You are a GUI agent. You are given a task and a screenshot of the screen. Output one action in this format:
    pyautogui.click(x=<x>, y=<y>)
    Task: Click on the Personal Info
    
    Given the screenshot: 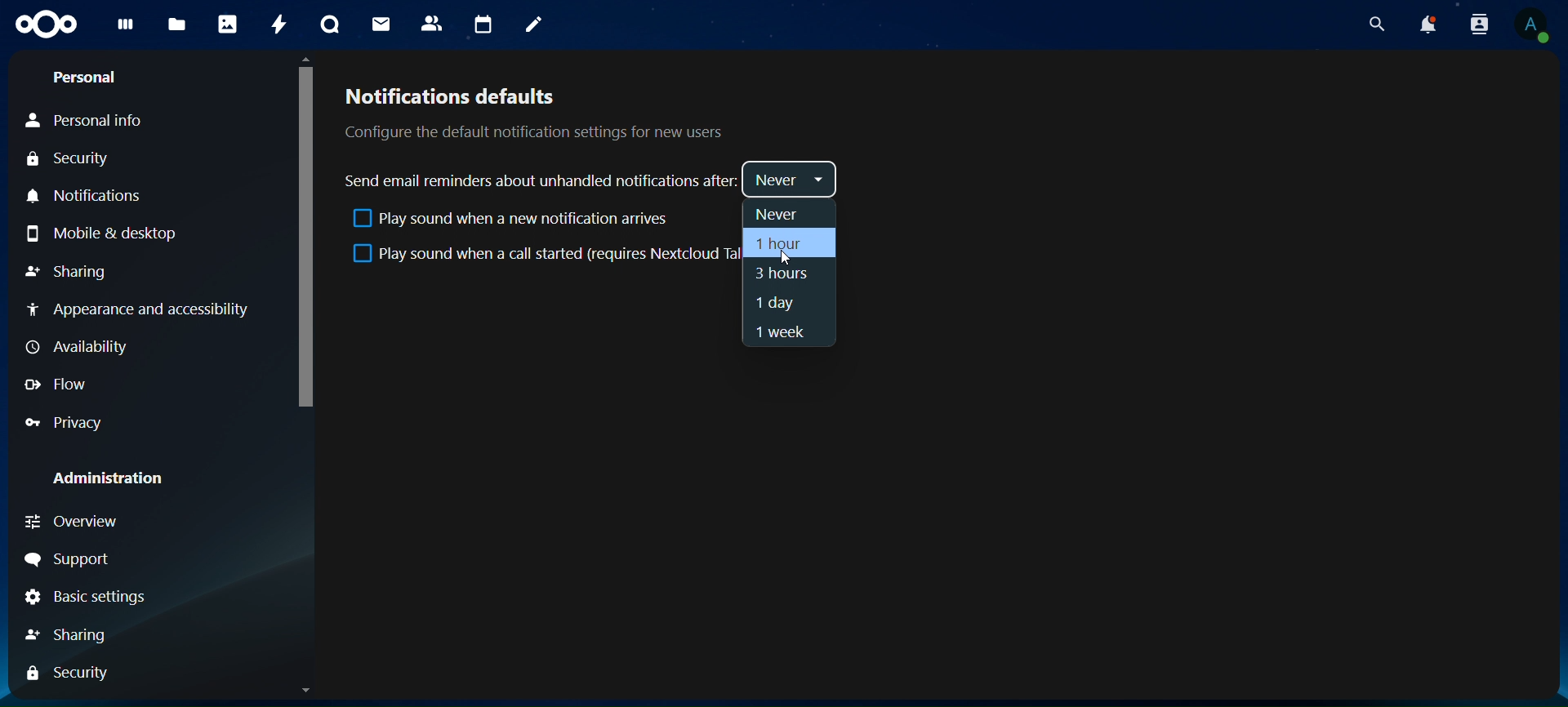 What is the action you would take?
    pyautogui.click(x=83, y=122)
    